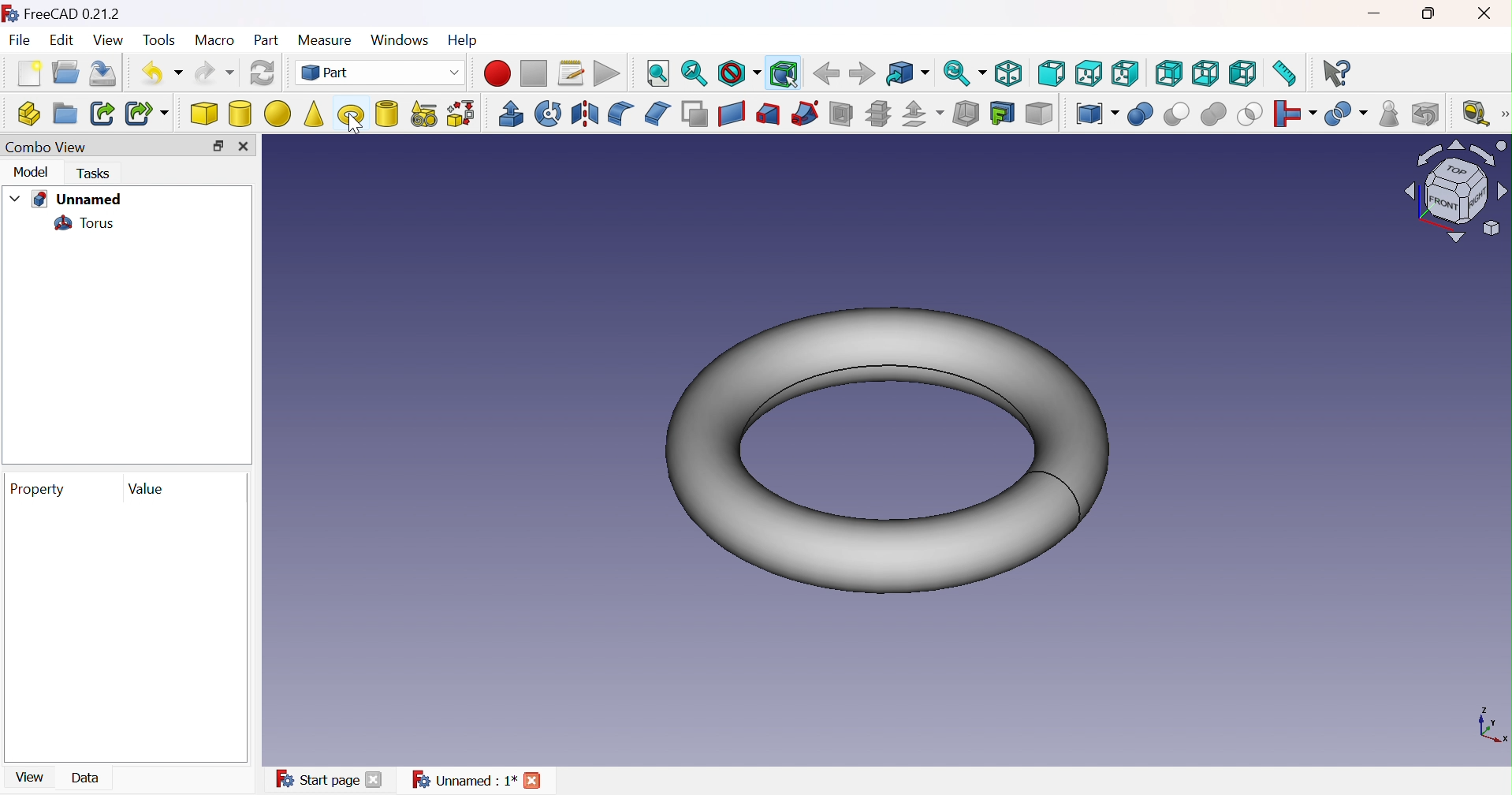 The image size is (1512, 795). I want to click on Sync, so click(965, 73).